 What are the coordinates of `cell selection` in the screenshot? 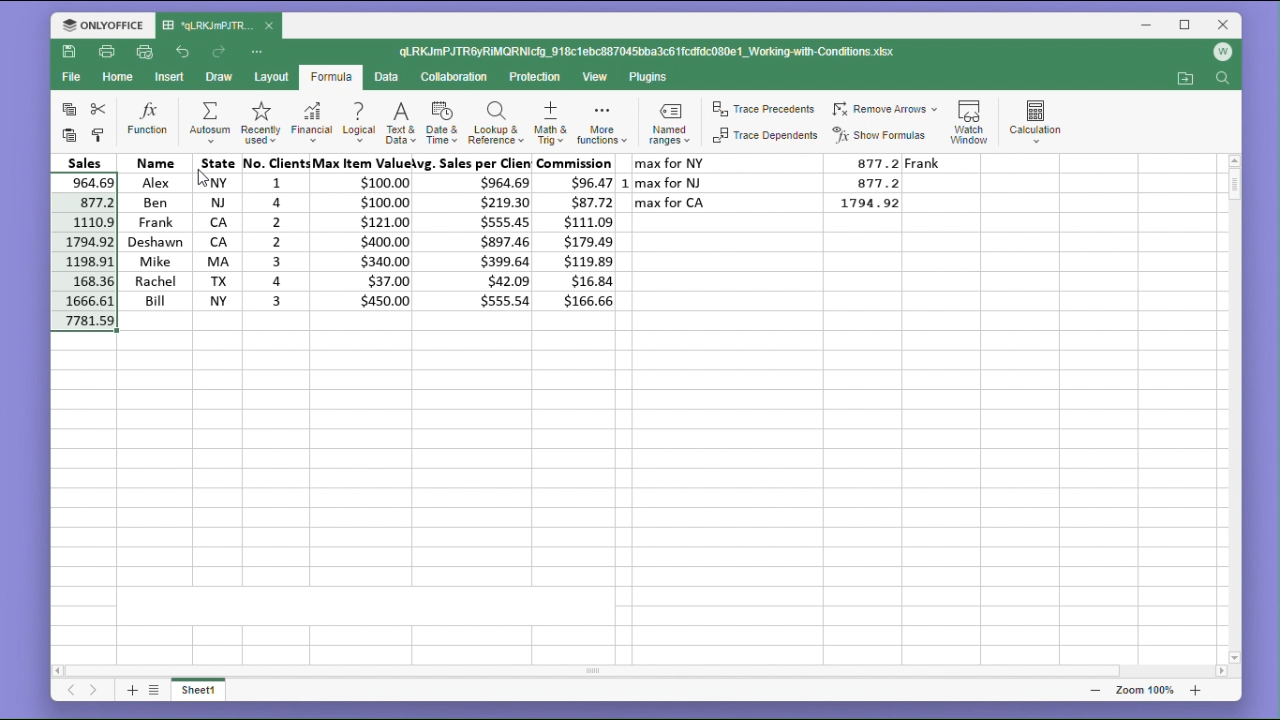 It's located at (84, 243).